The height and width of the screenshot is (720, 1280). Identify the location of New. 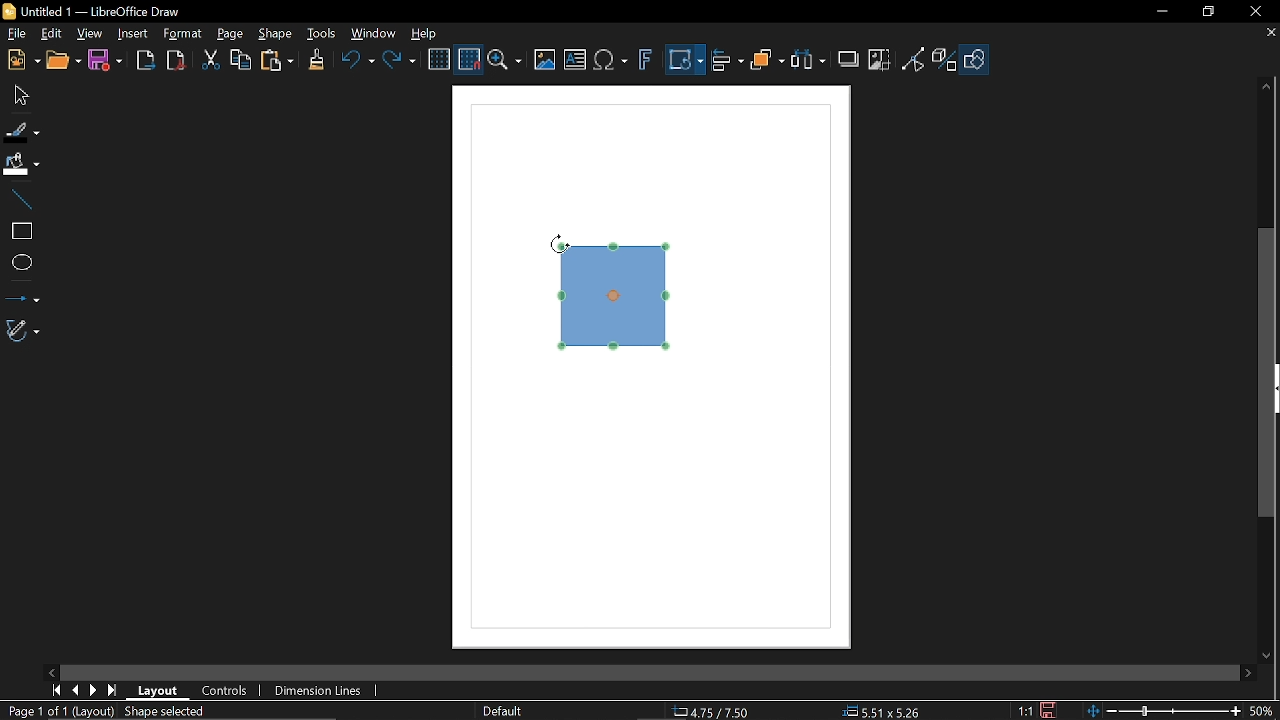
(22, 59).